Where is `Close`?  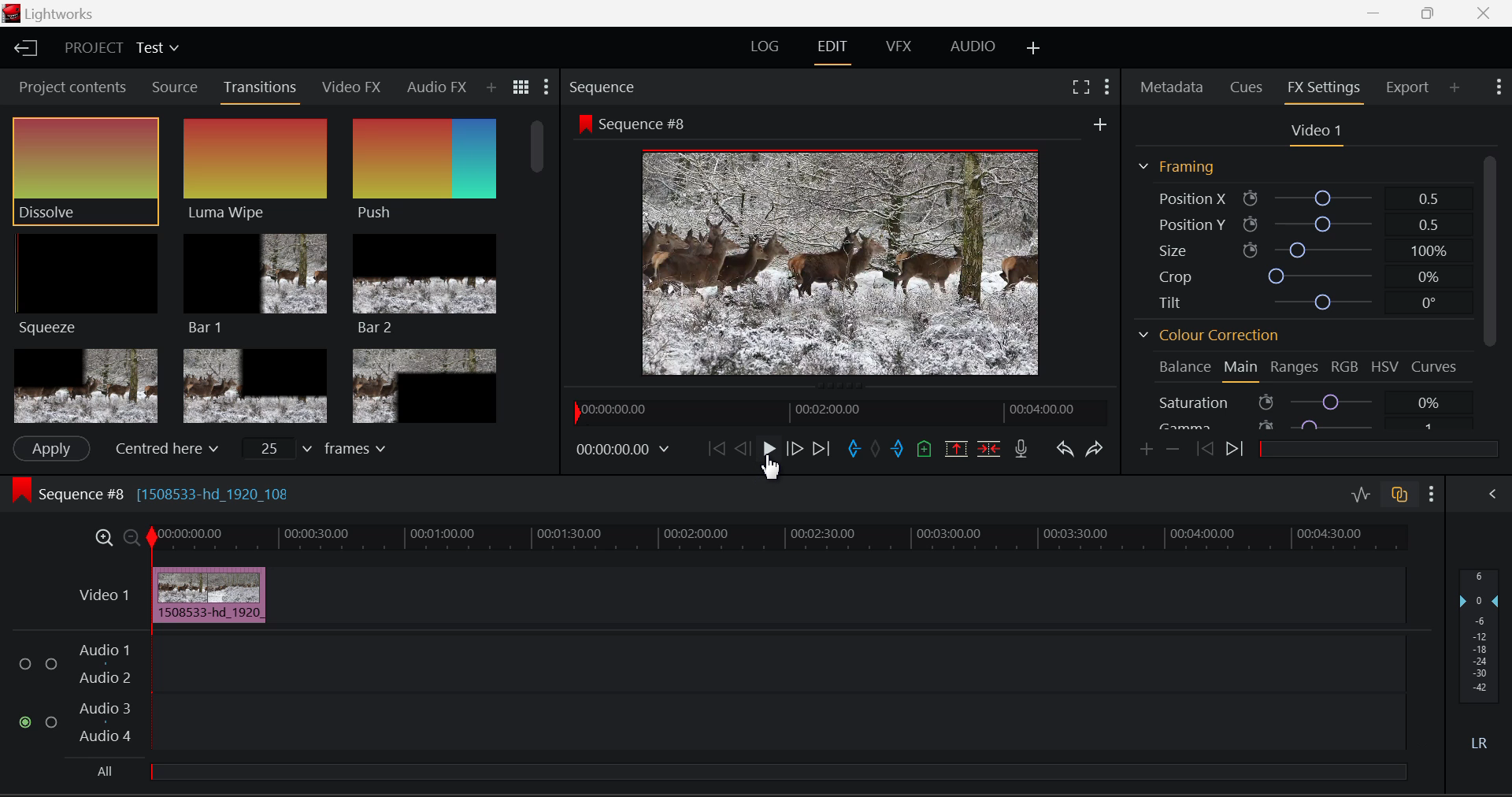 Close is located at coordinates (1485, 13).